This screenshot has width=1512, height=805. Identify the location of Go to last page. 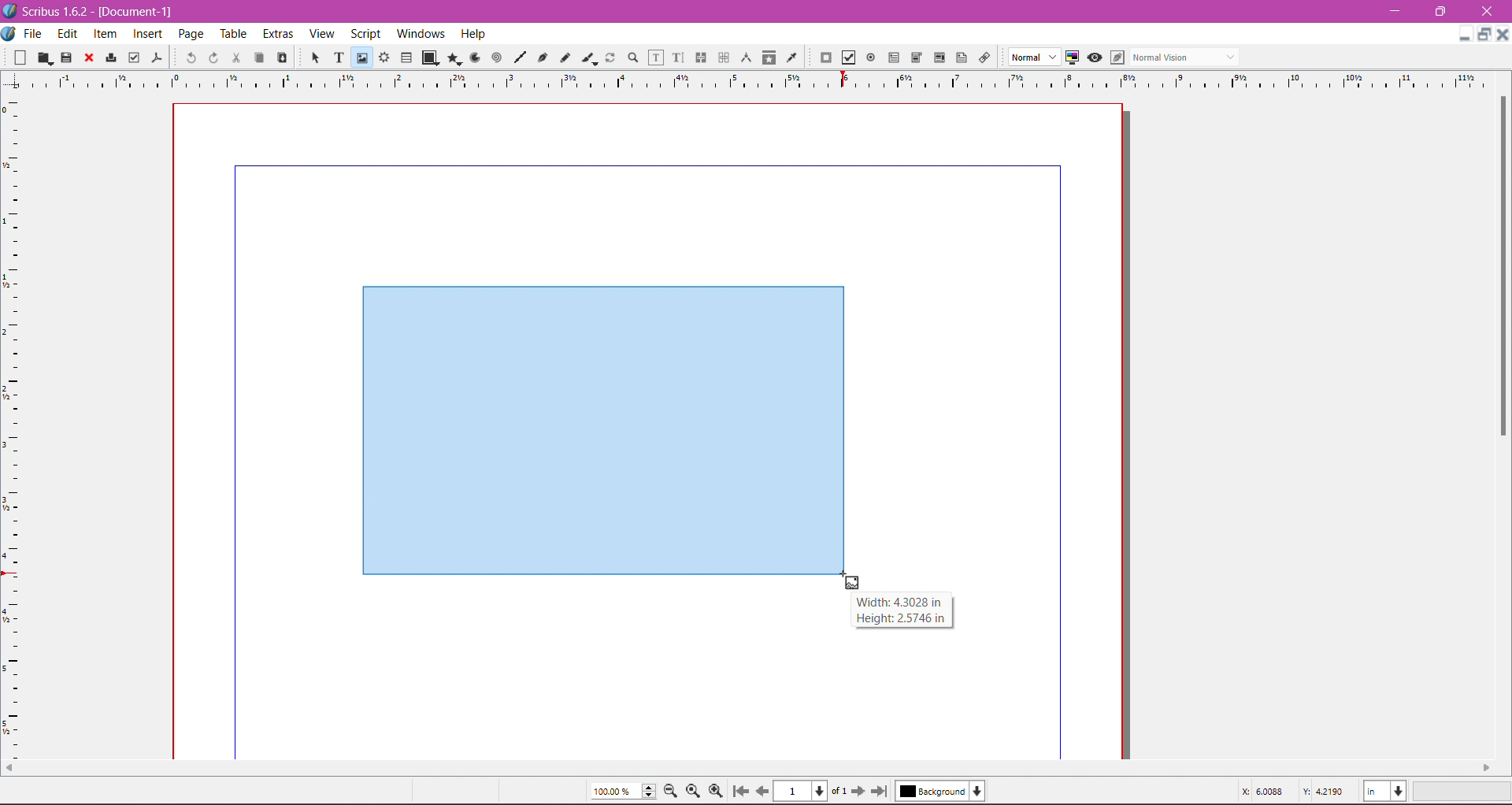
(880, 791).